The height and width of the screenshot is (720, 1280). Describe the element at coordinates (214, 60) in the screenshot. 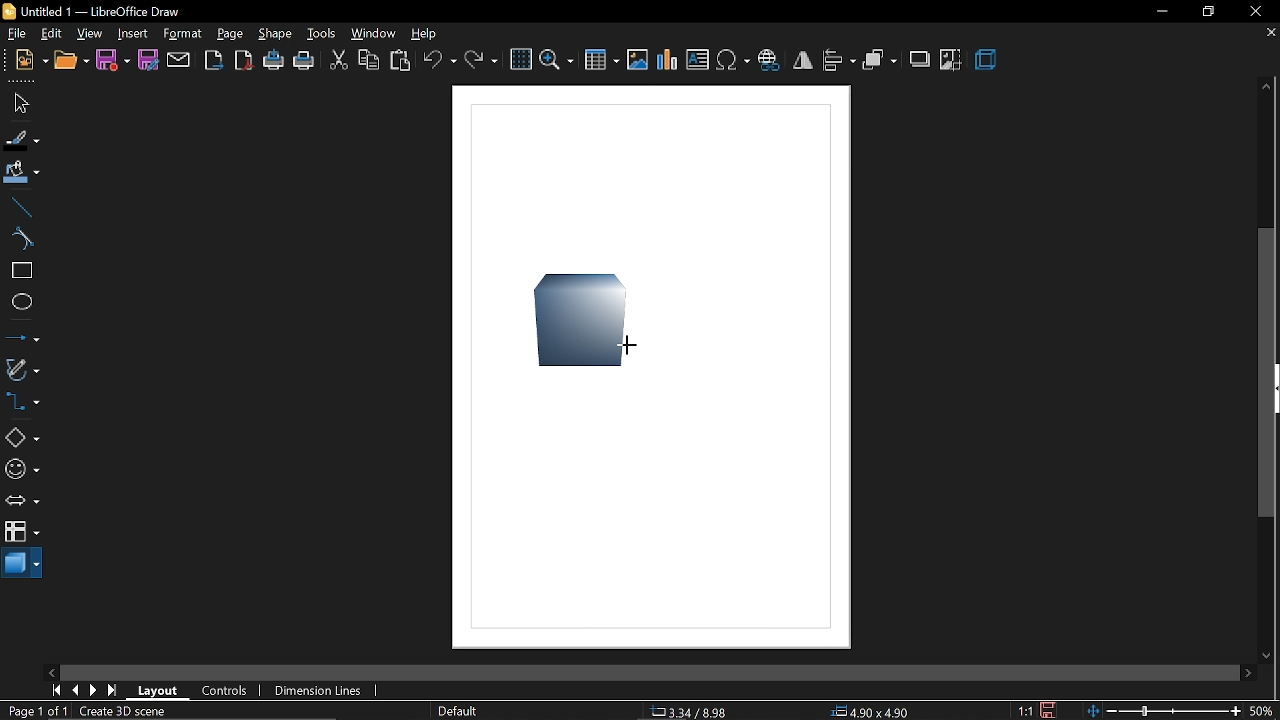

I see `export` at that location.